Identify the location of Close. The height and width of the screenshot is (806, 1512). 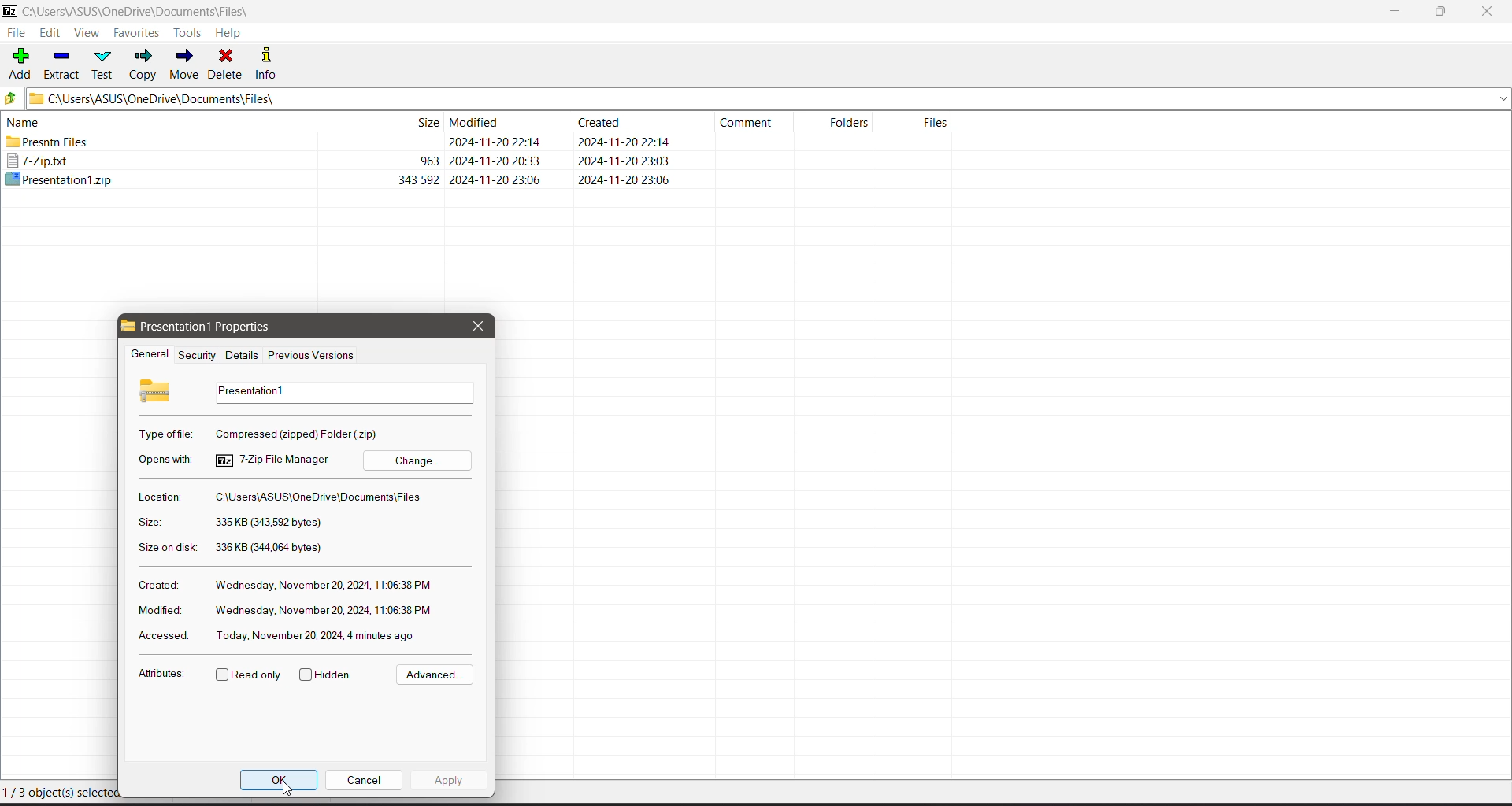
(1490, 12).